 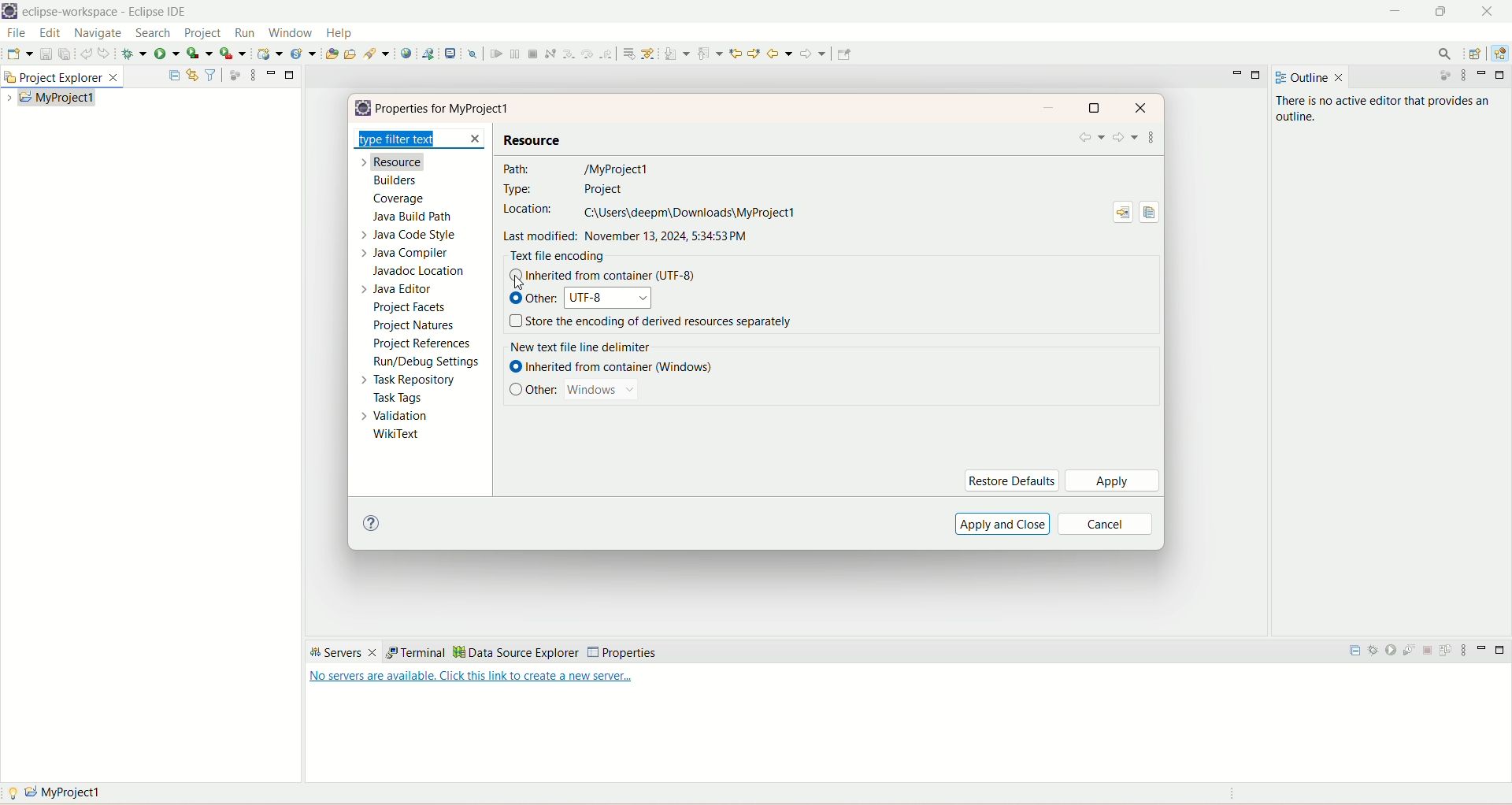 What do you see at coordinates (519, 285) in the screenshot?
I see `cursor` at bounding box center [519, 285].